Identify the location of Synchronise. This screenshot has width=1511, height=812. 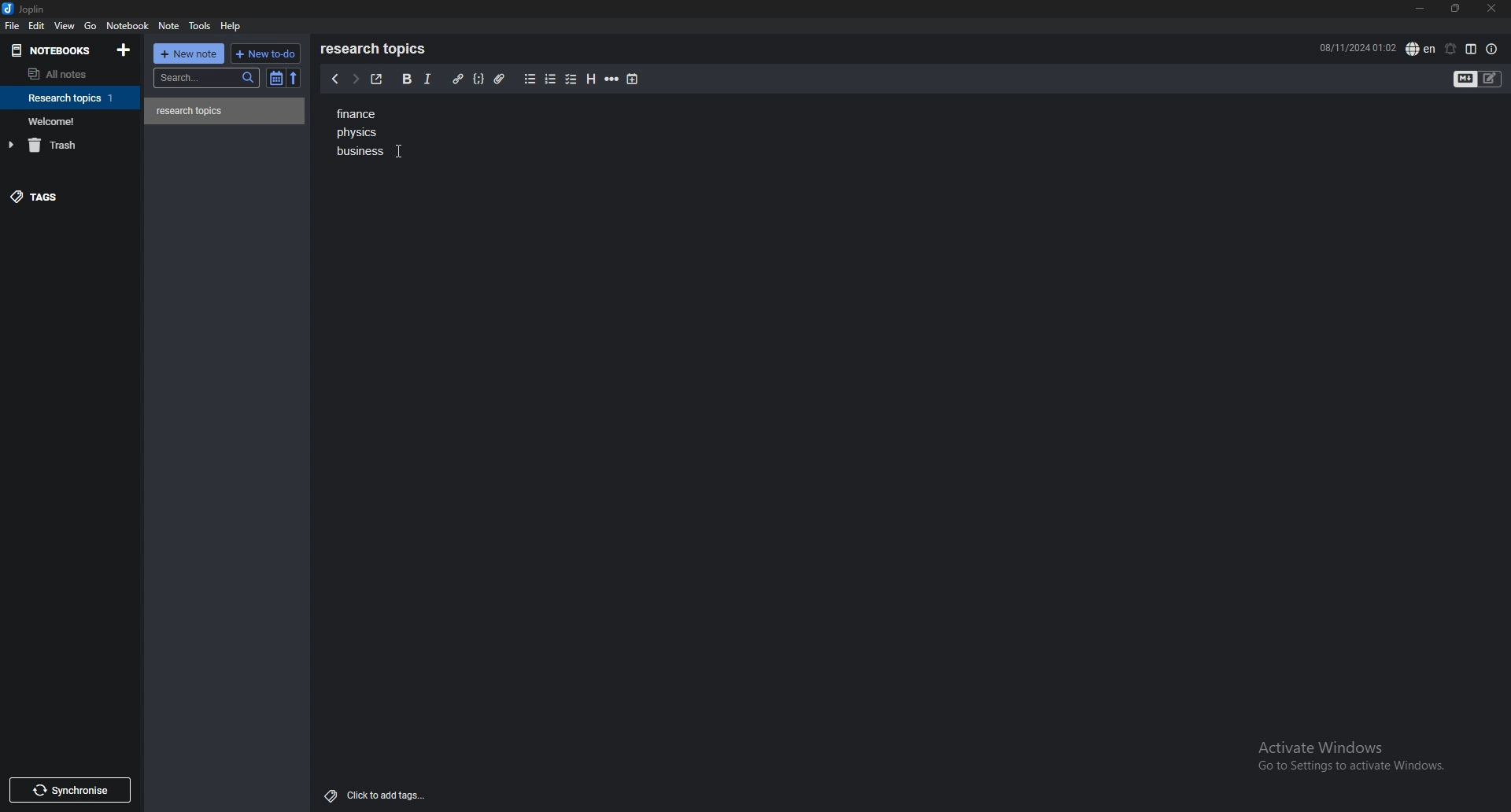
(73, 789).